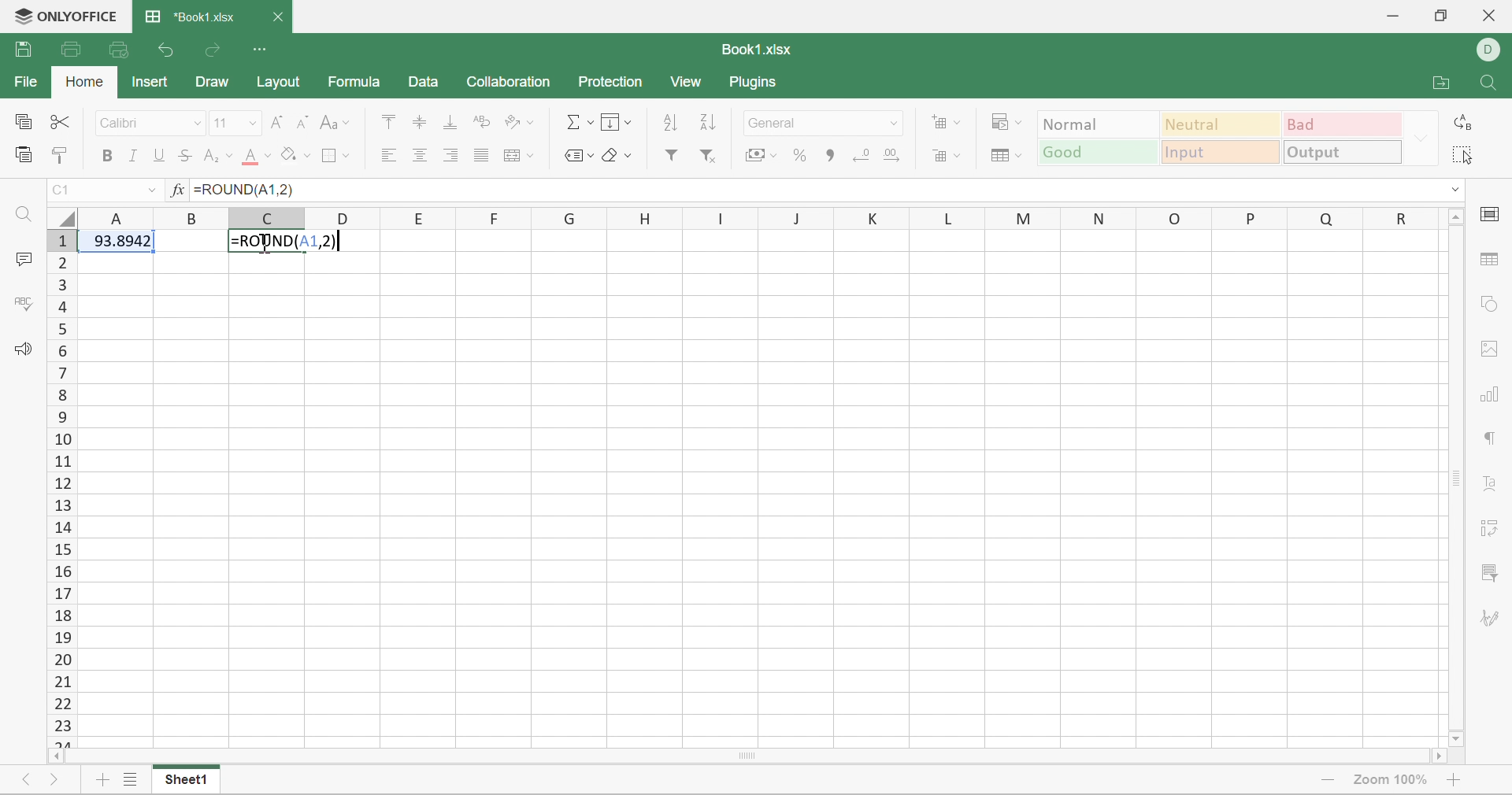 The width and height of the screenshot is (1512, 795). Describe the element at coordinates (576, 153) in the screenshot. I see `Named ranges` at that location.